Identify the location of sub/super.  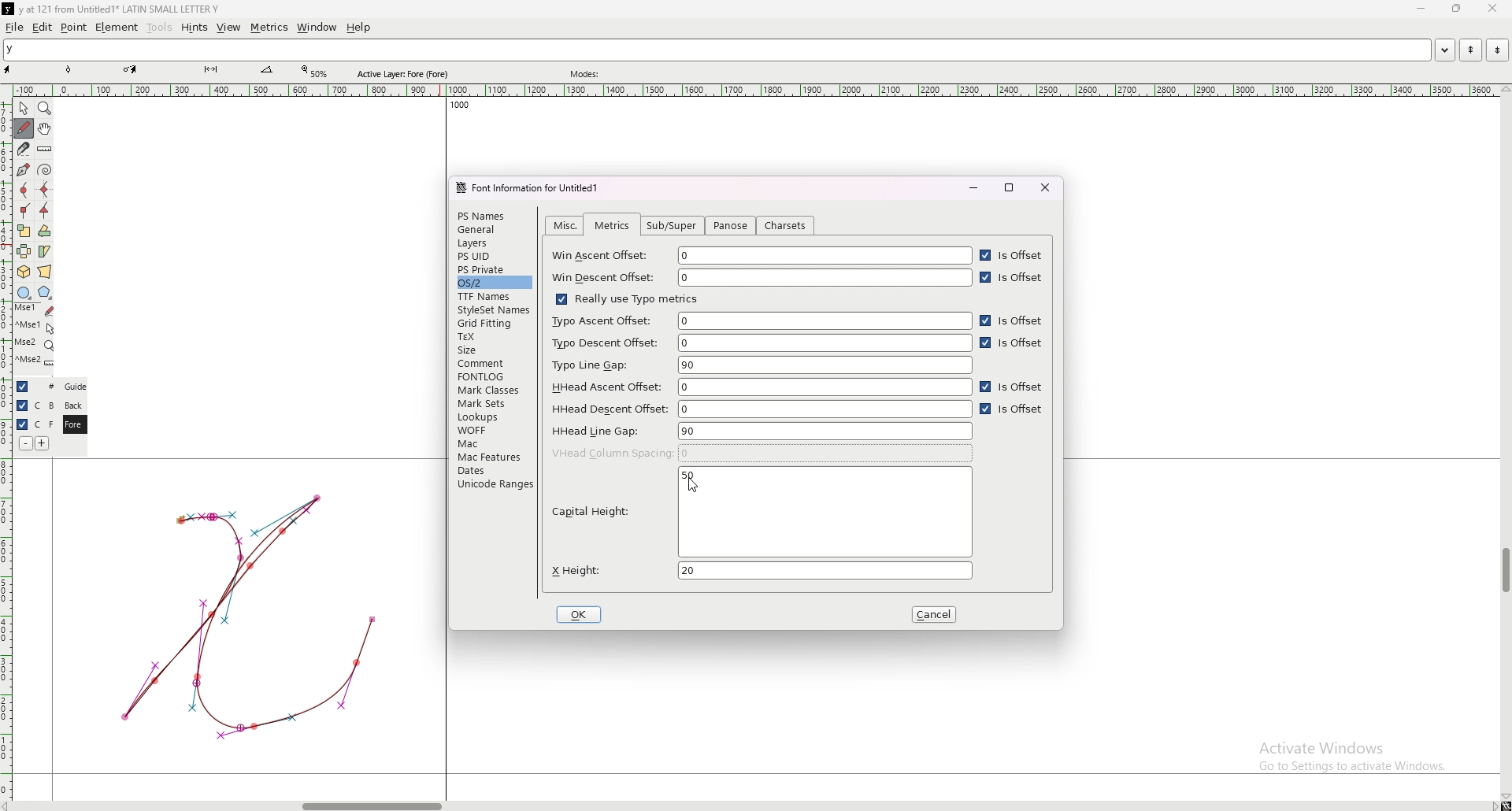
(675, 226).